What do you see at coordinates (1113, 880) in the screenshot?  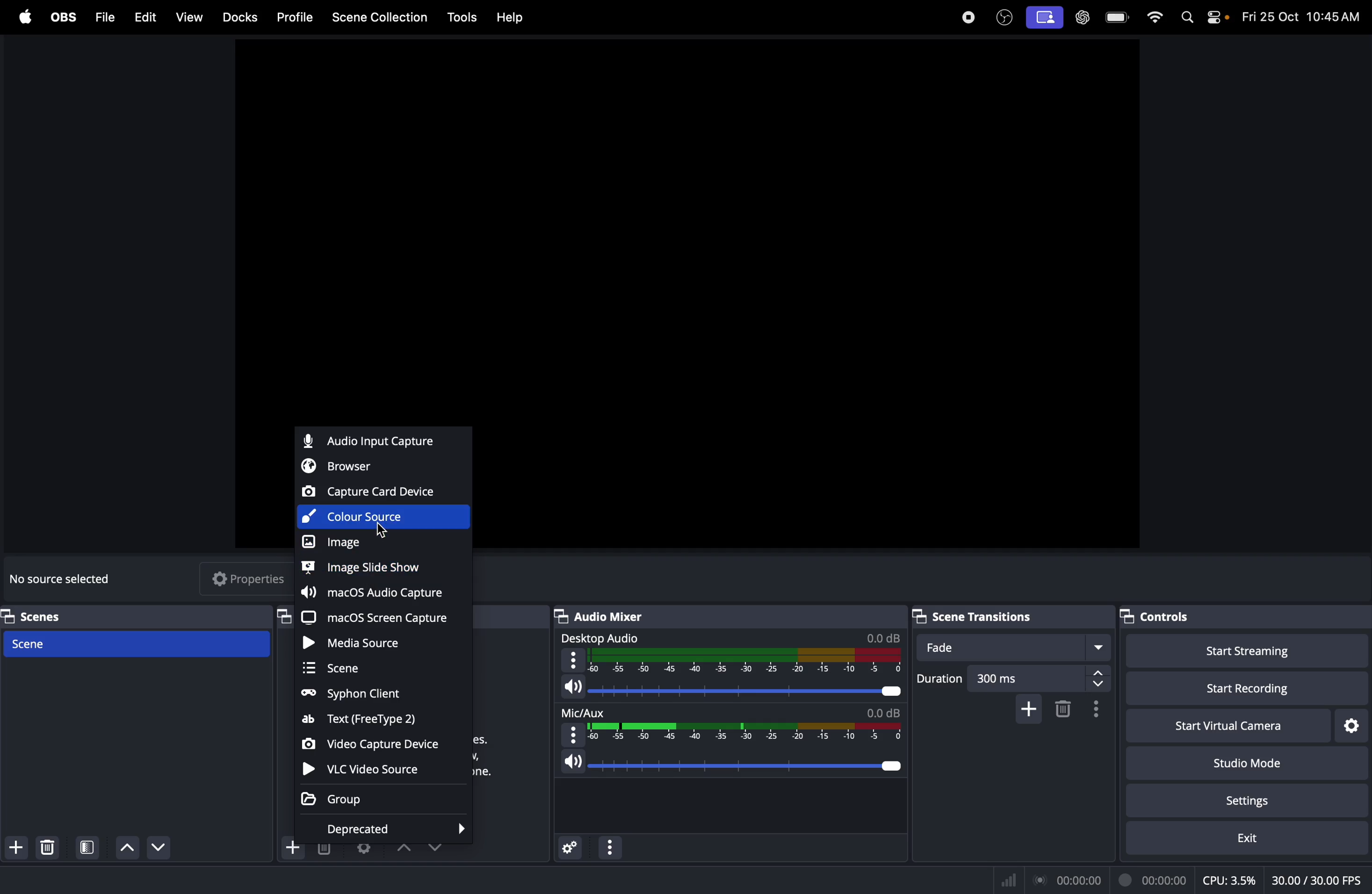 I see `record time` at bounding box center [1113, 880].